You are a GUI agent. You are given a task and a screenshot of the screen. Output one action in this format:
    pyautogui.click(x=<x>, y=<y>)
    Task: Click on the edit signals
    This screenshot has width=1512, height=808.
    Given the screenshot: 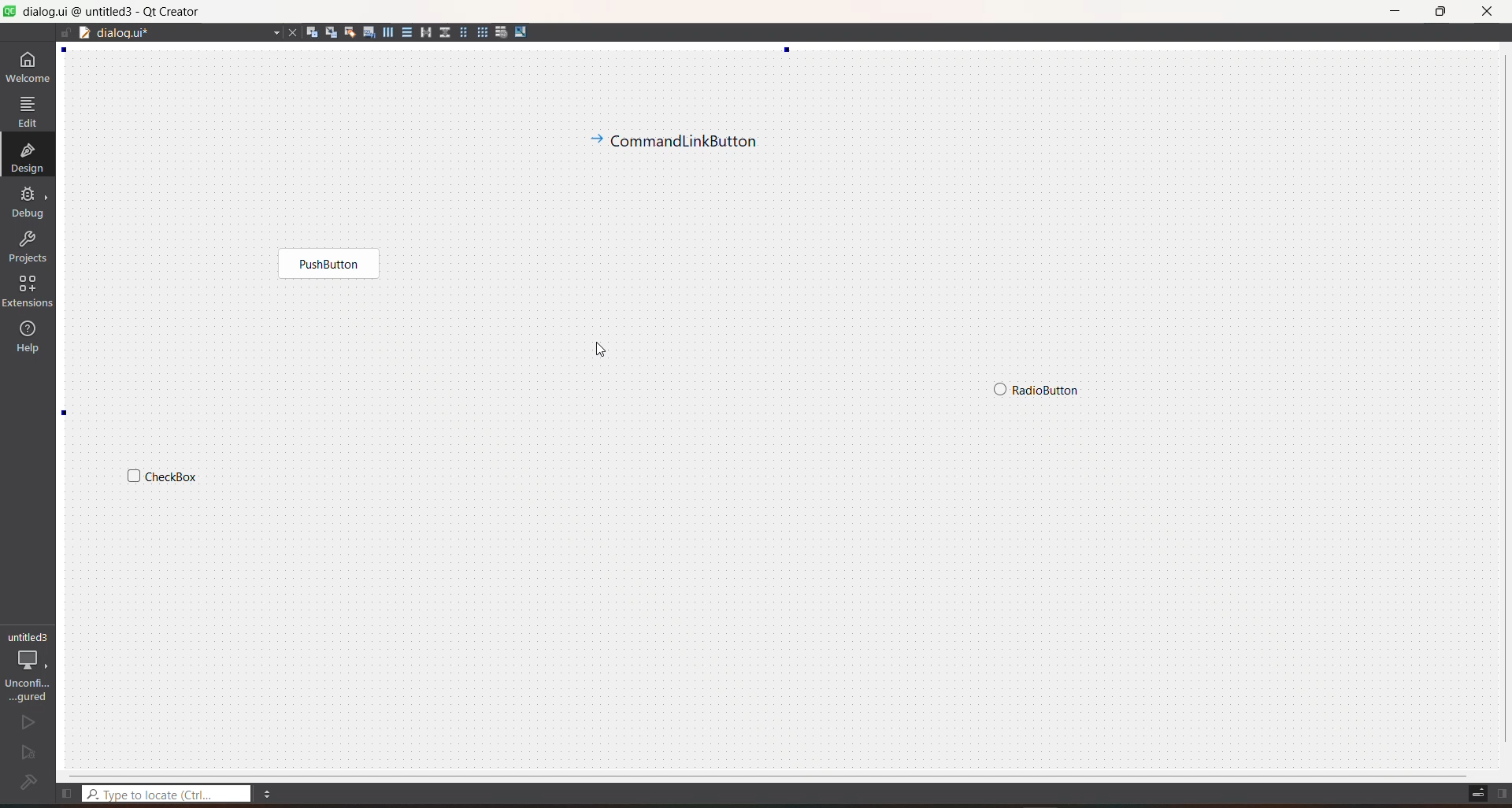 What is the action you would take?
    pyautogui.click(x=329, y=32)
    